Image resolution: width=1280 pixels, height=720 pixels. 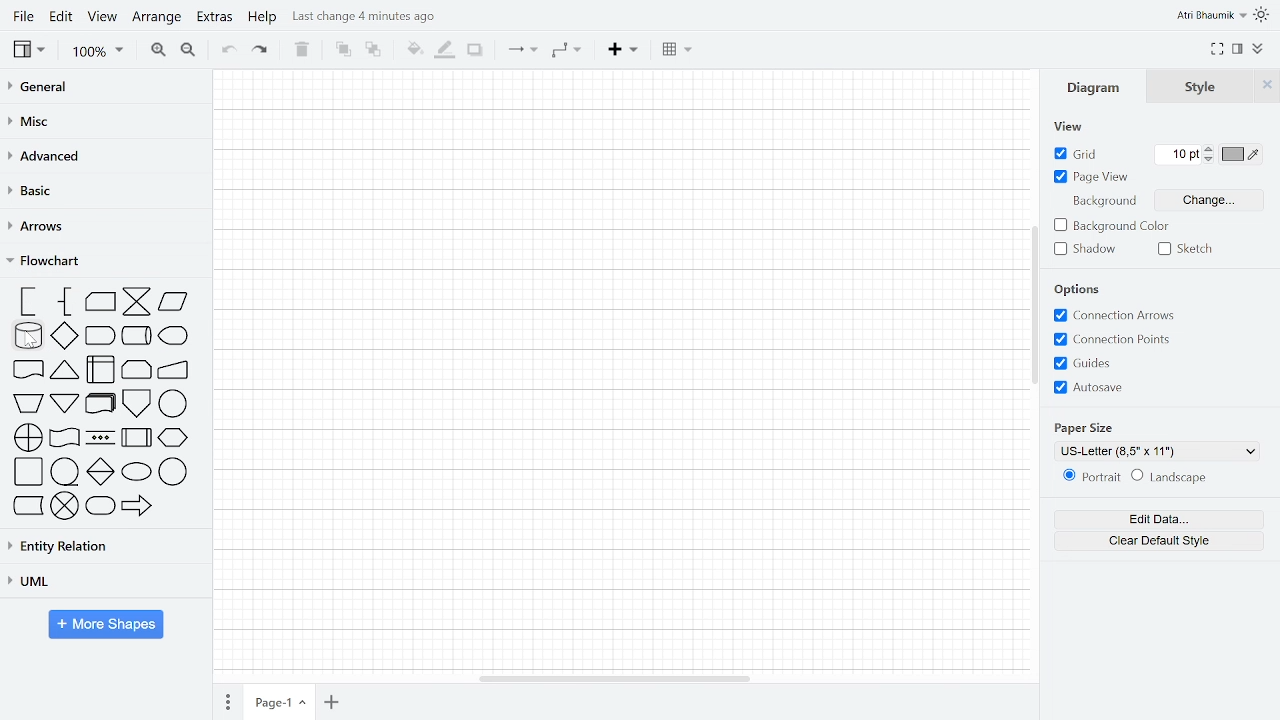 I want to click on Entity relation, so click(x=101, y=545).